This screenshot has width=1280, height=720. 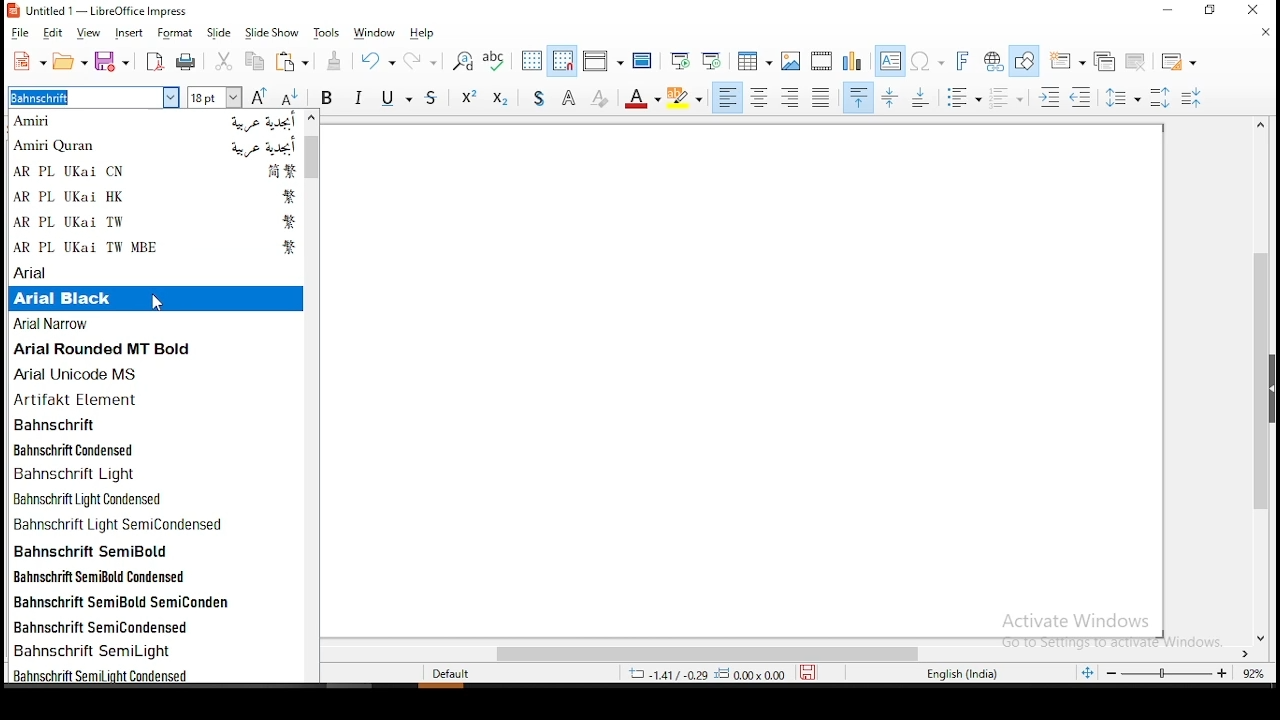 I want to click on image, so click(x=790, y=60).